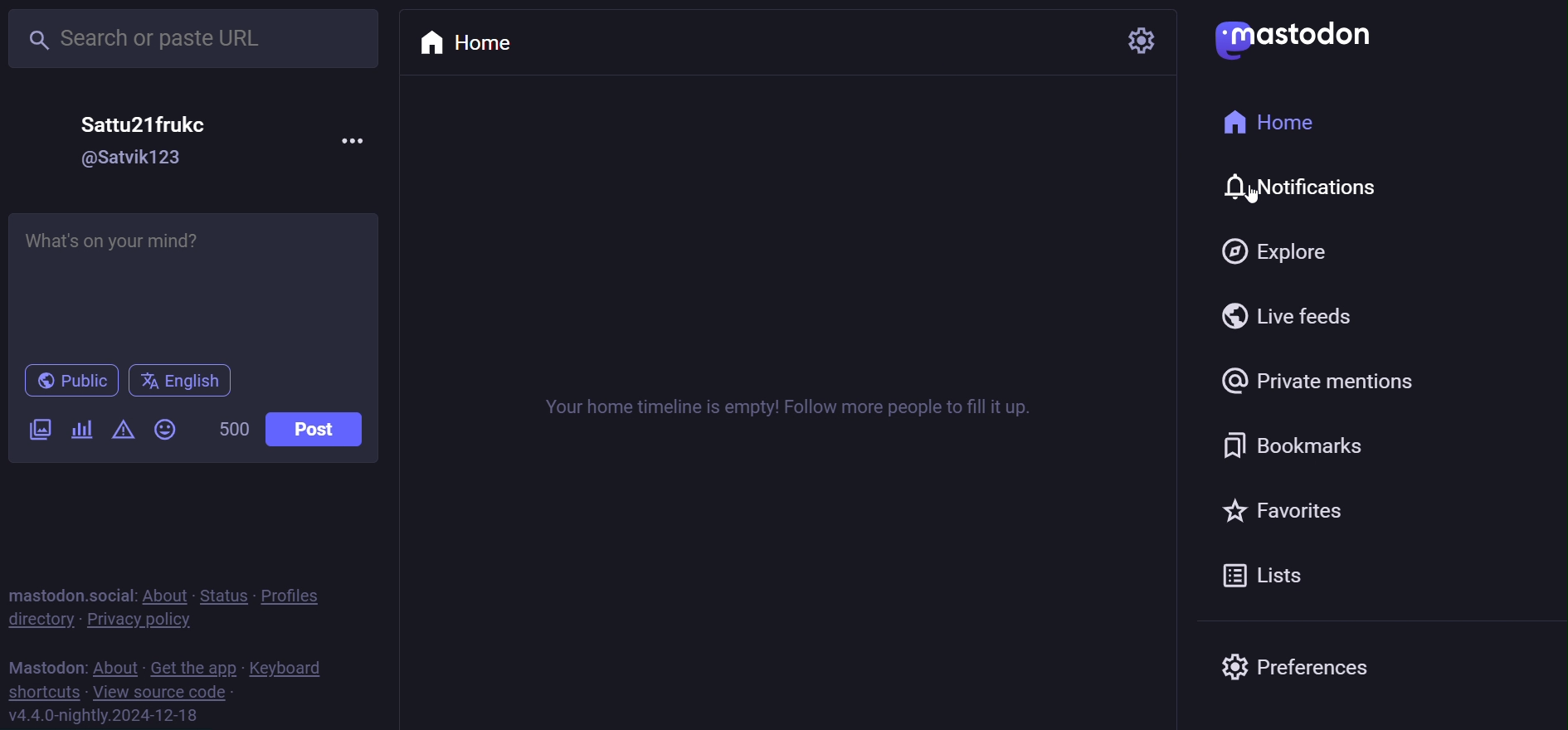 This screenshot has height=730, width=1568. What do you see at coordinates (1294, 315) in the screenshot?
I see `live feed` at bounding box center [1294, 315].